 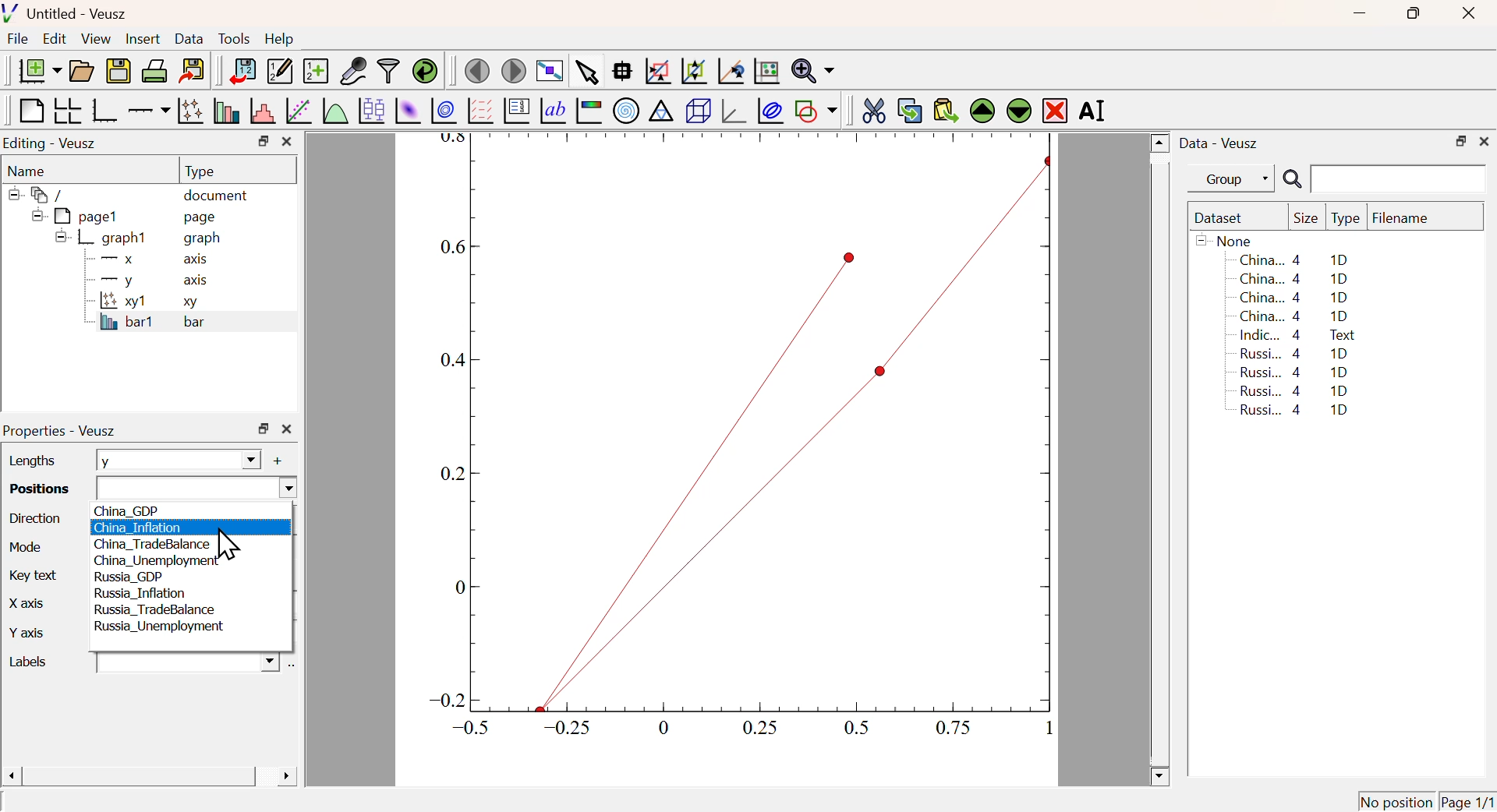 What do you see at coordinates (589, 111) in the screenshot?
I see `Image Color bar` at bounding box center [589, 111].